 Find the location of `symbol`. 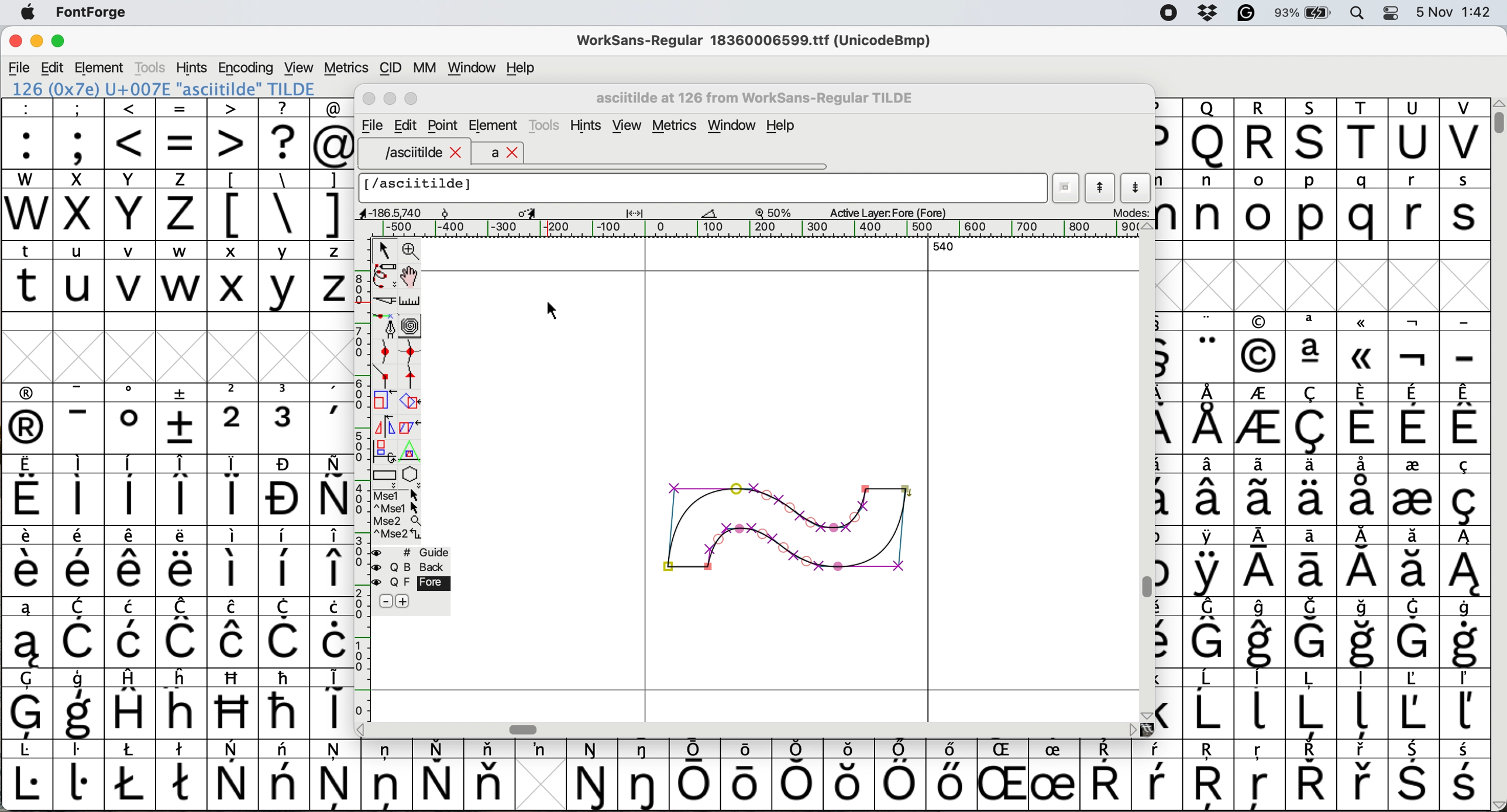

symbol is located at coordinates (130, 775).